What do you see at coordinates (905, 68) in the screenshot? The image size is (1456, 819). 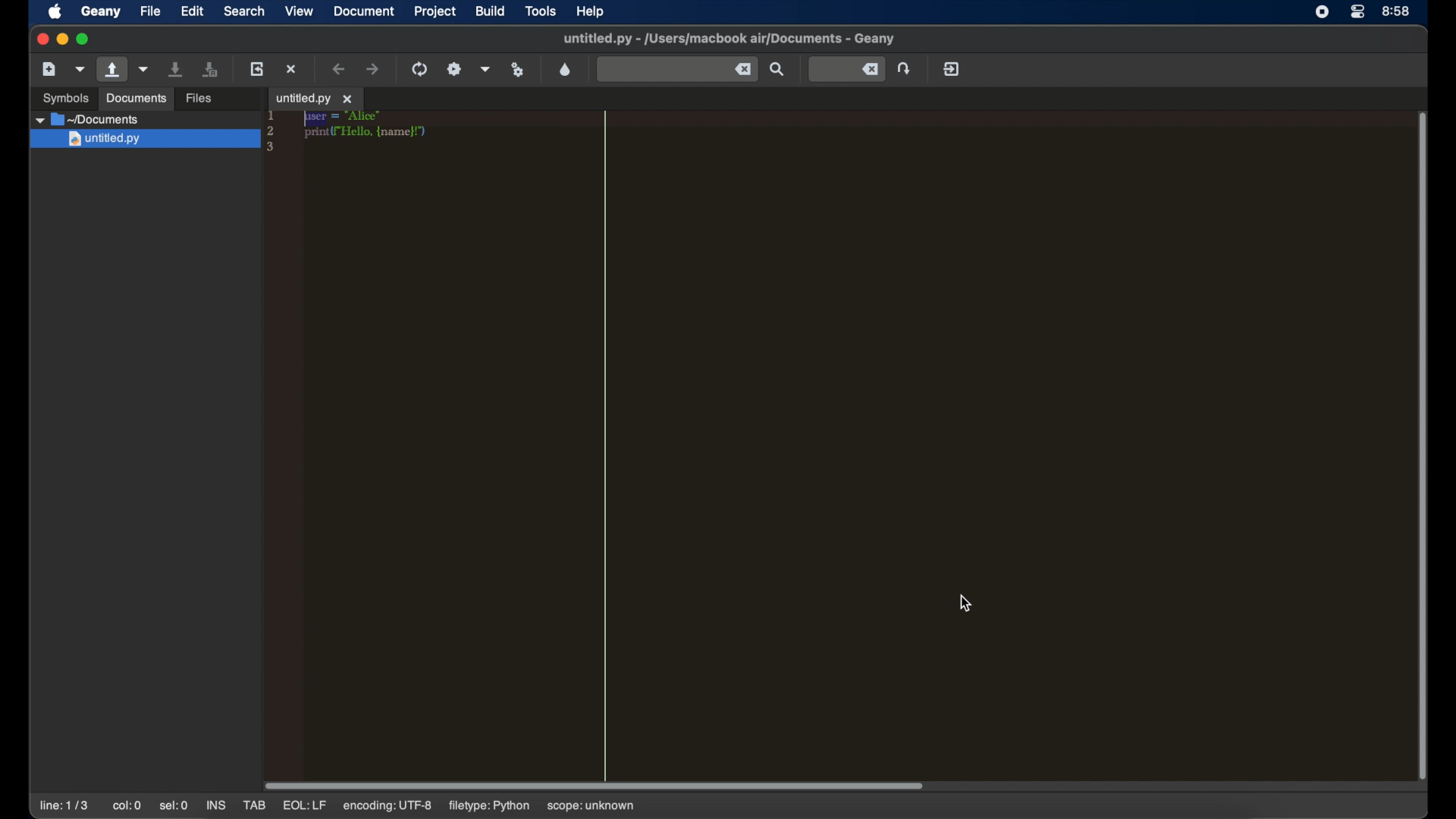 I see `jump to the entered line number` at bounding box center [905, 68].